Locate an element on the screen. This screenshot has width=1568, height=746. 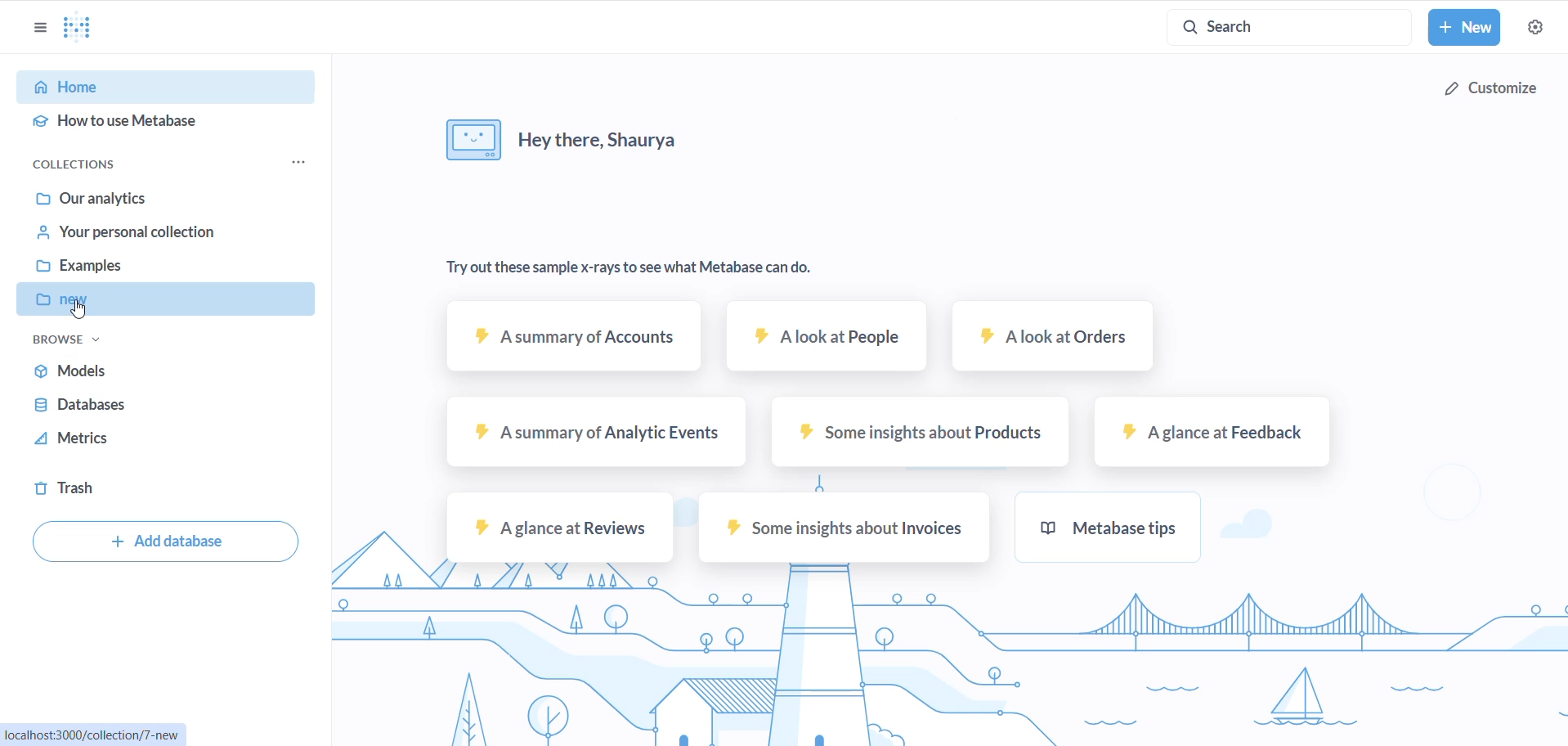
collection options is located at coordinates (298, 164).